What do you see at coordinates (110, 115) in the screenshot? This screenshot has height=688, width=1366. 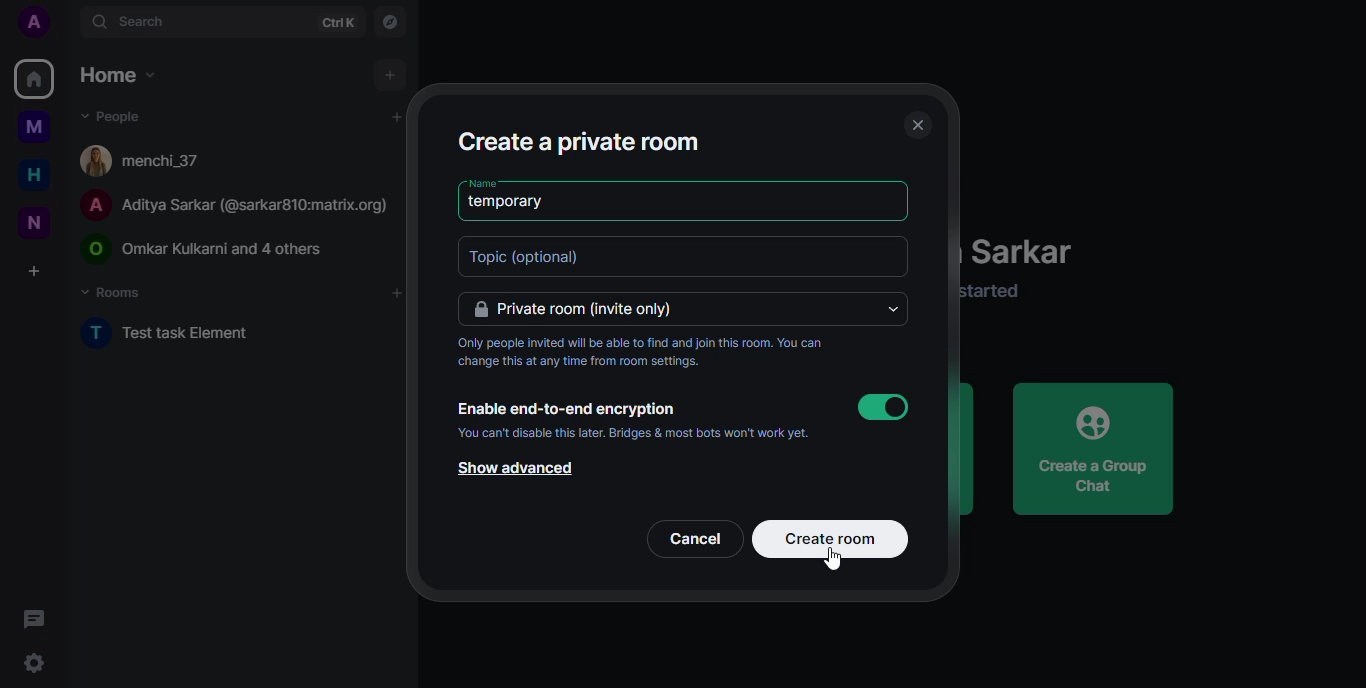 I see `people` at bounding box center [110, 115].